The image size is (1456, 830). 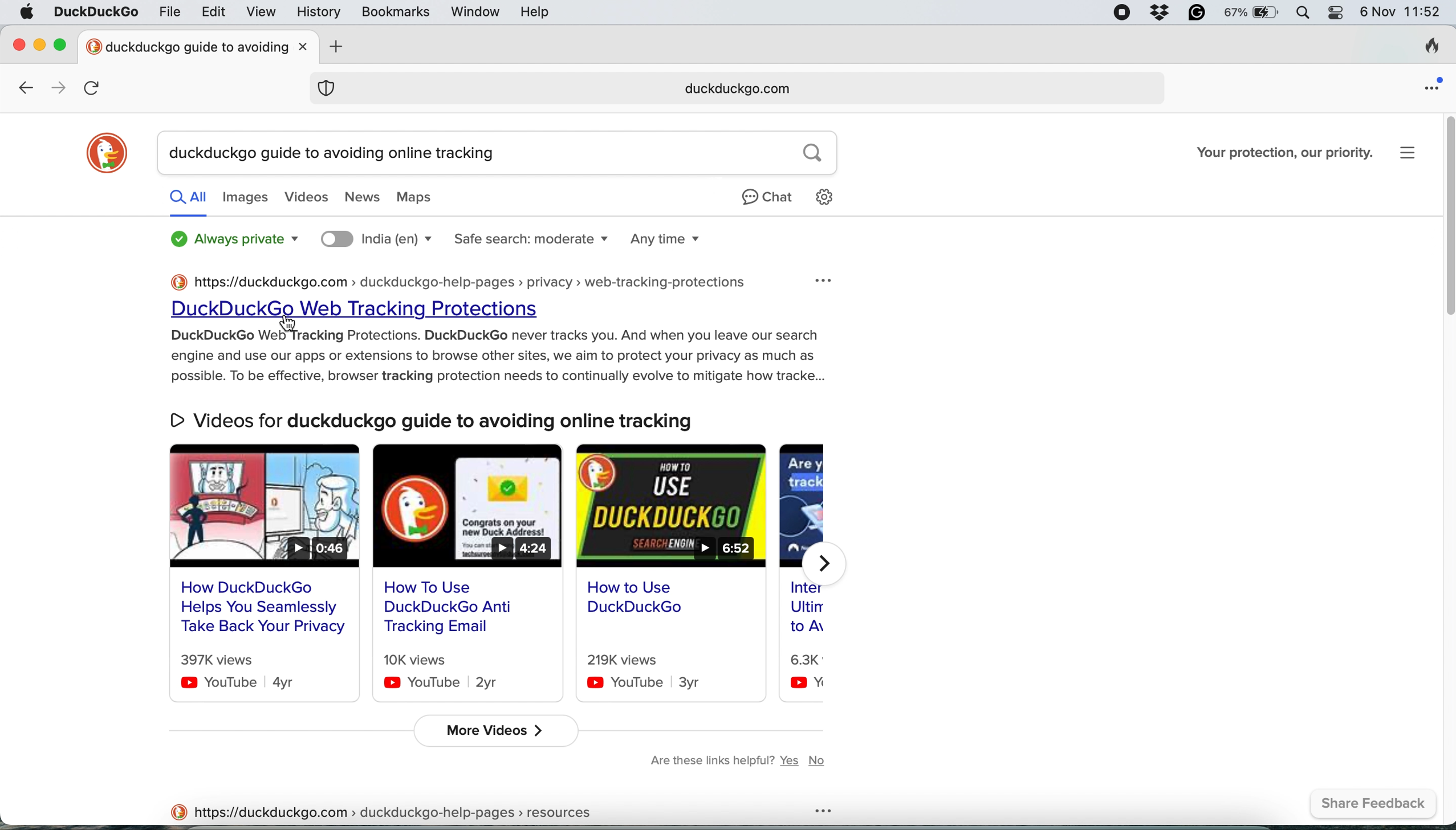 What do you see at coordinates (1198, 14) in the screenshot?
I see `grammarly` at bounding box center [1198, 14].